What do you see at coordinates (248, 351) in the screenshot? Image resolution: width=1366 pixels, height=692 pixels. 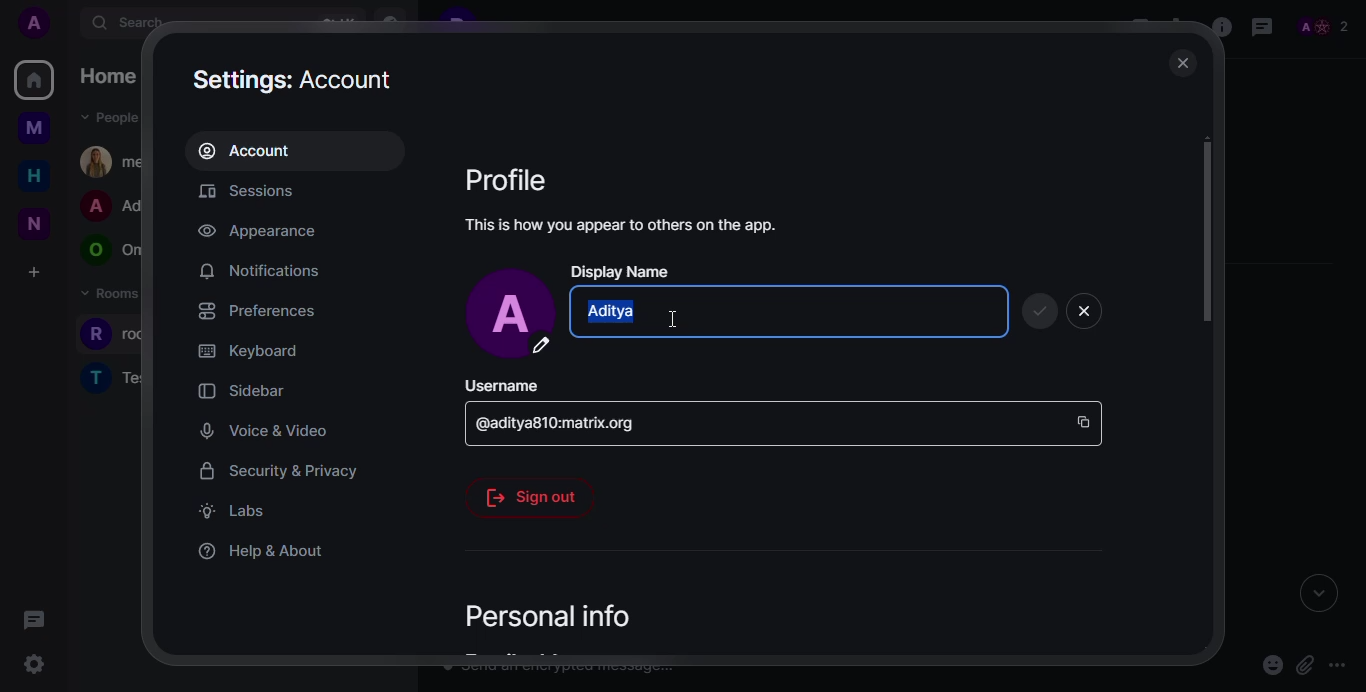 I see `keyboard` at bounding box center [248, 351].